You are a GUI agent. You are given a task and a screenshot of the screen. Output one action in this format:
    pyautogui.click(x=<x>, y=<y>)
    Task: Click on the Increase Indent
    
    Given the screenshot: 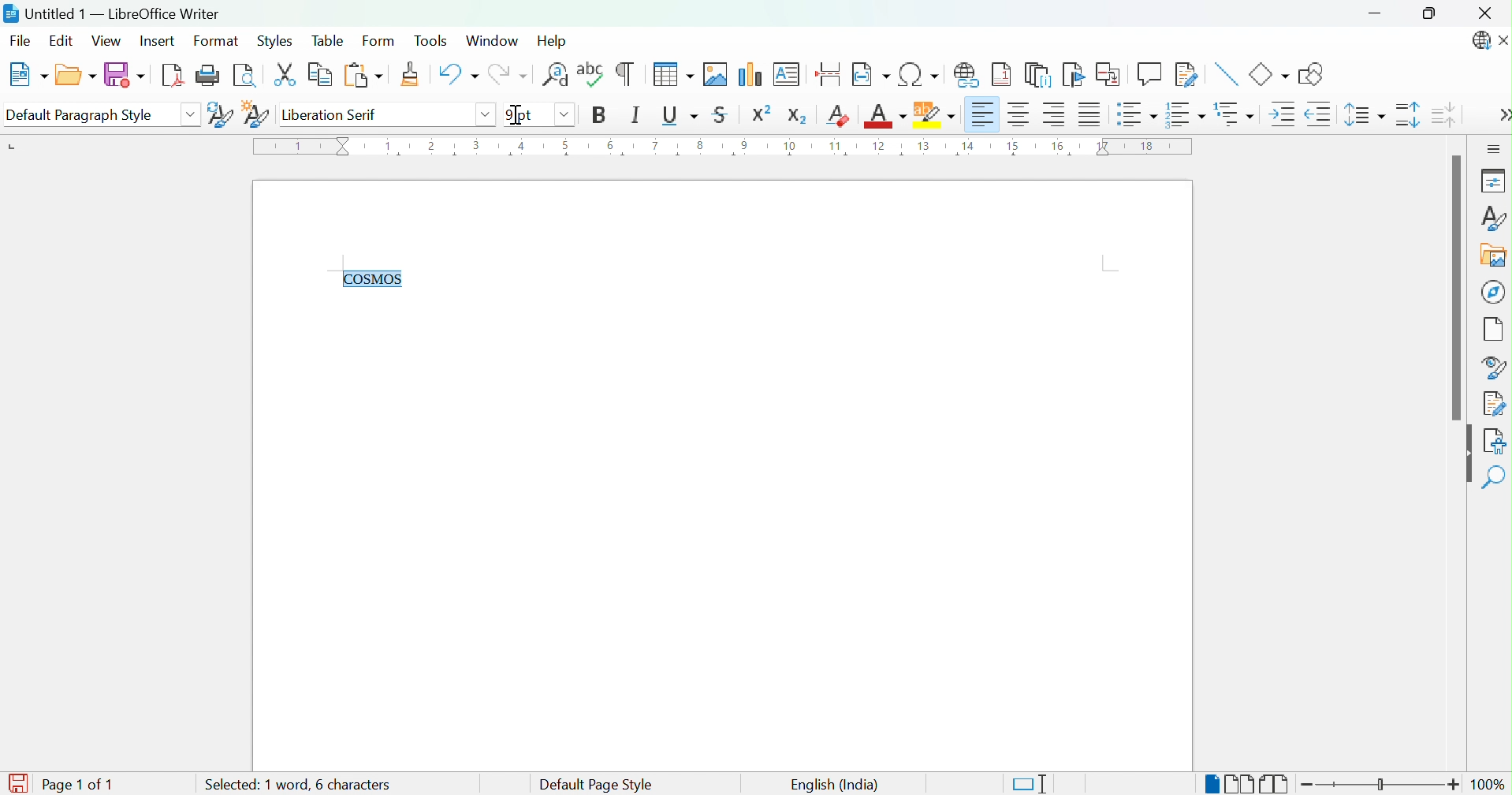 What is the action you would take?
    pyautogui.click(x=1279, y=114)
    